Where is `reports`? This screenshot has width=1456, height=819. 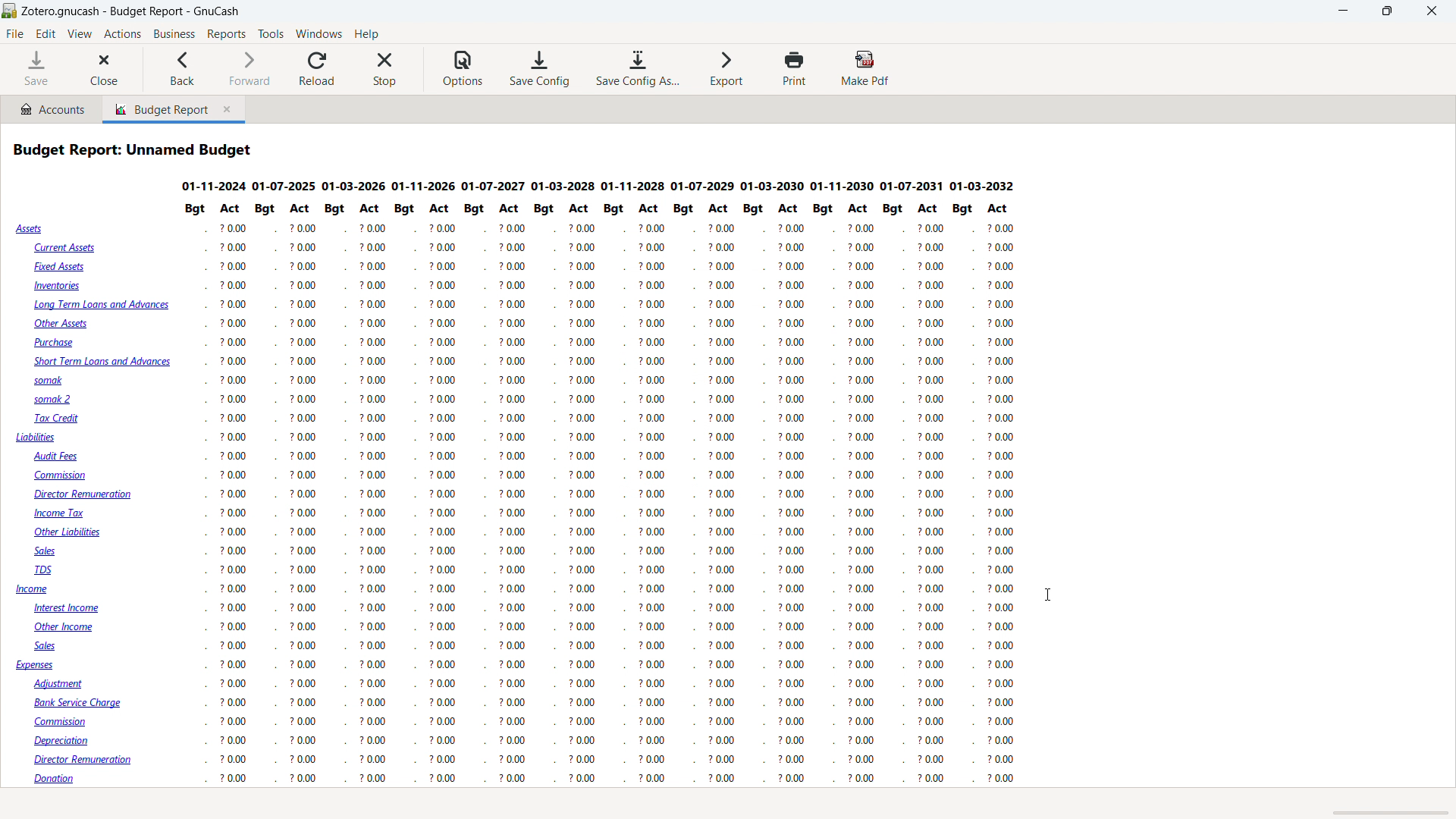 reports is located at coordinates (226, 34).